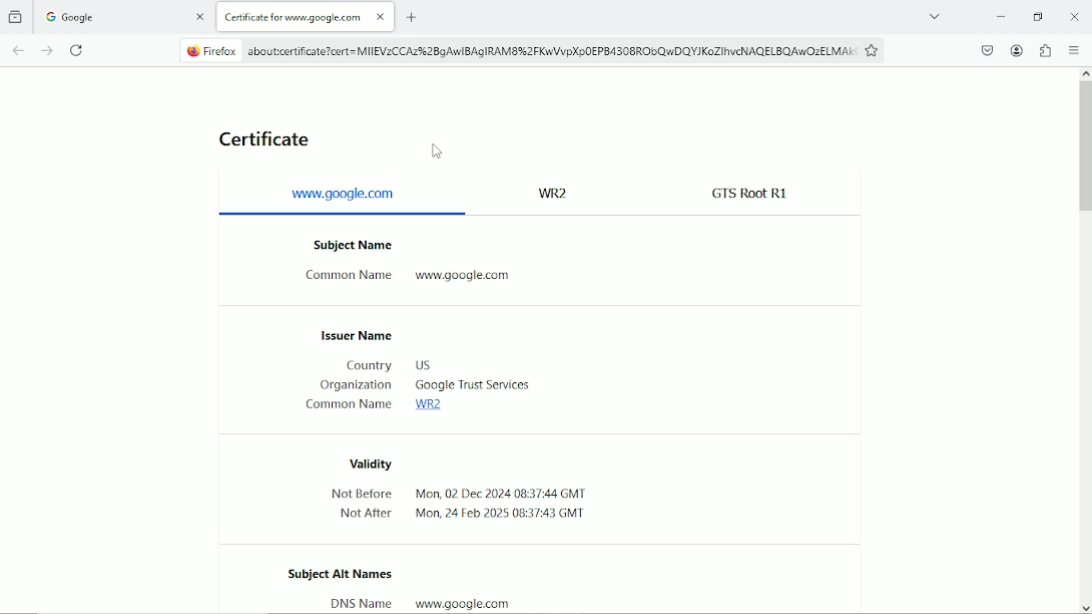  What do you see at coordinates (16, 15) in the screenshot?
I see `View recent browsing` at bounding box center [16, 15].